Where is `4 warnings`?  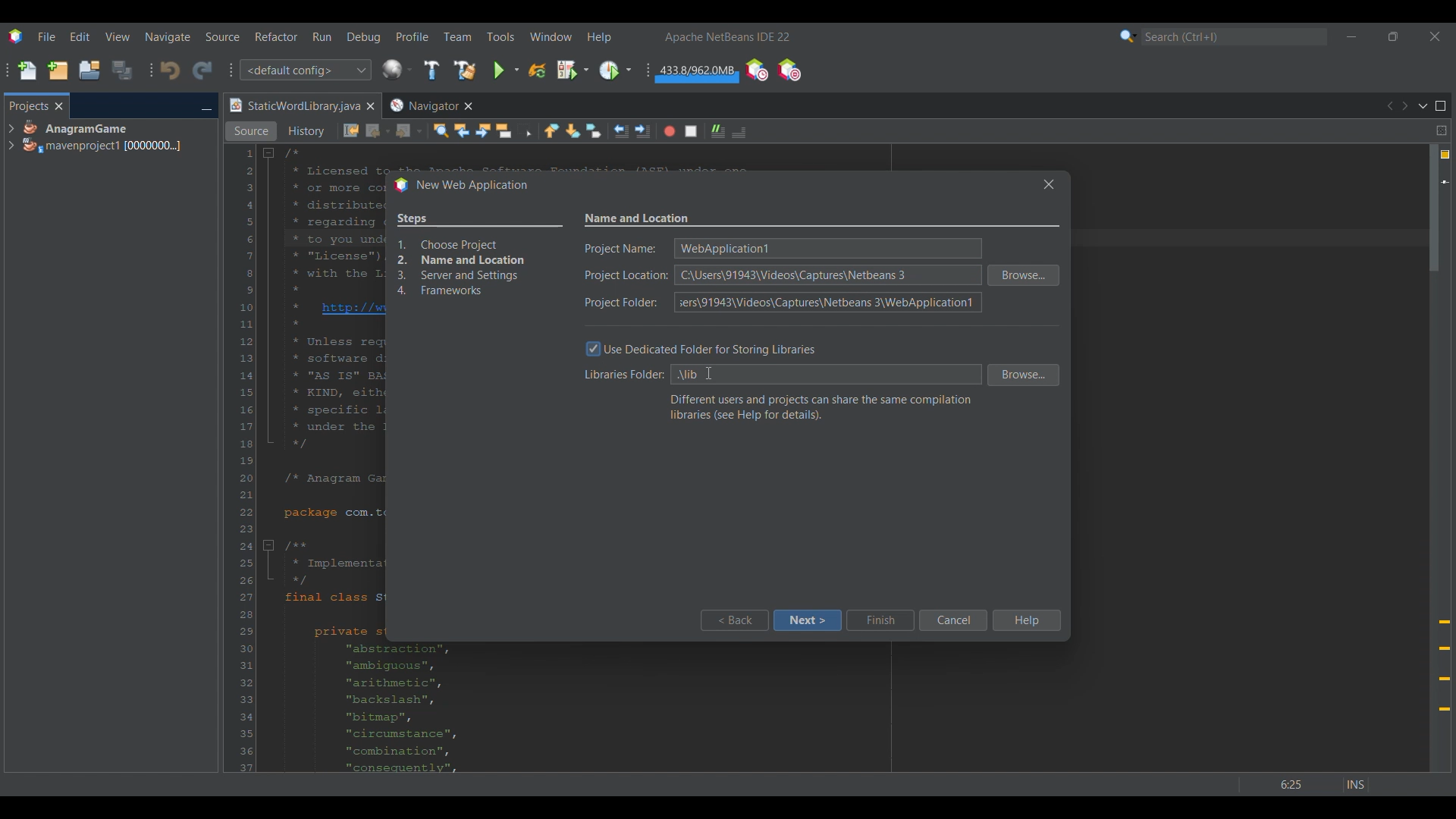 4 warnings is located at coordinates (1445, 155).